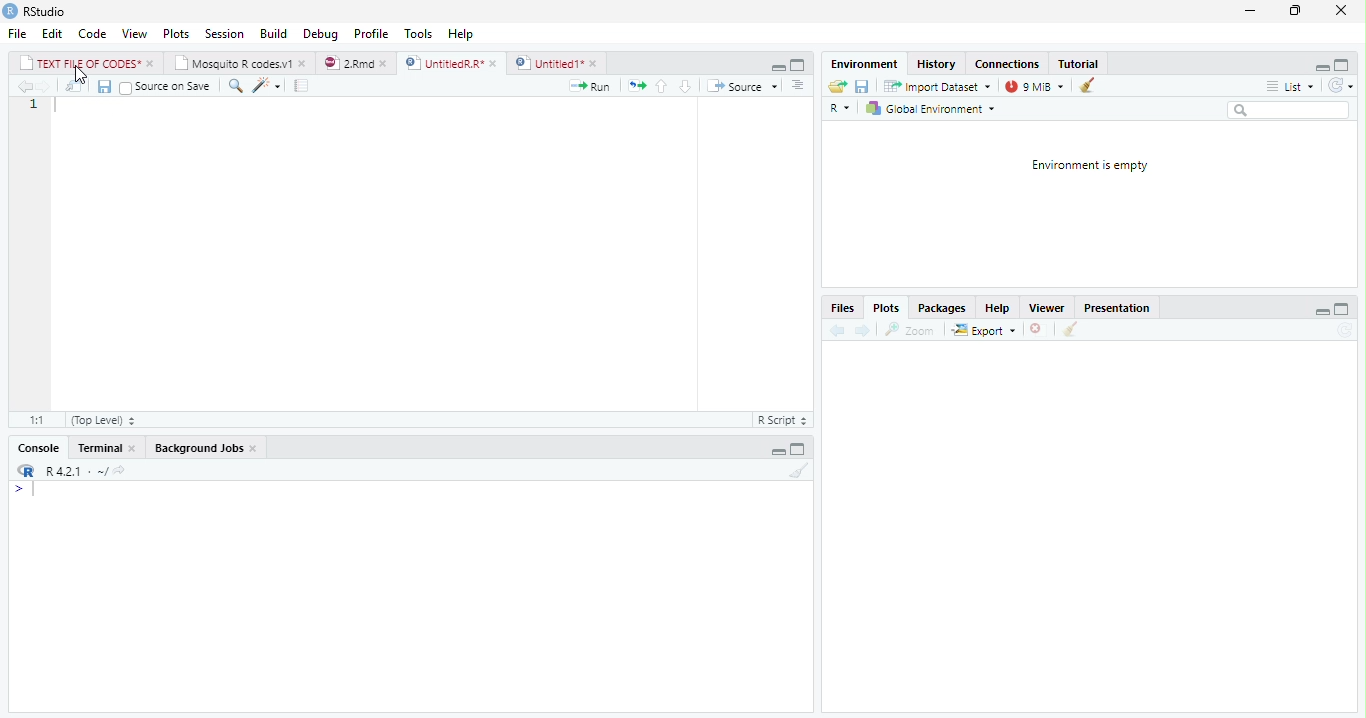 The image size is (1366, 718). Describe the element at coordinates (1321, 66) in the screenshot. I see `hide r script` at that location.